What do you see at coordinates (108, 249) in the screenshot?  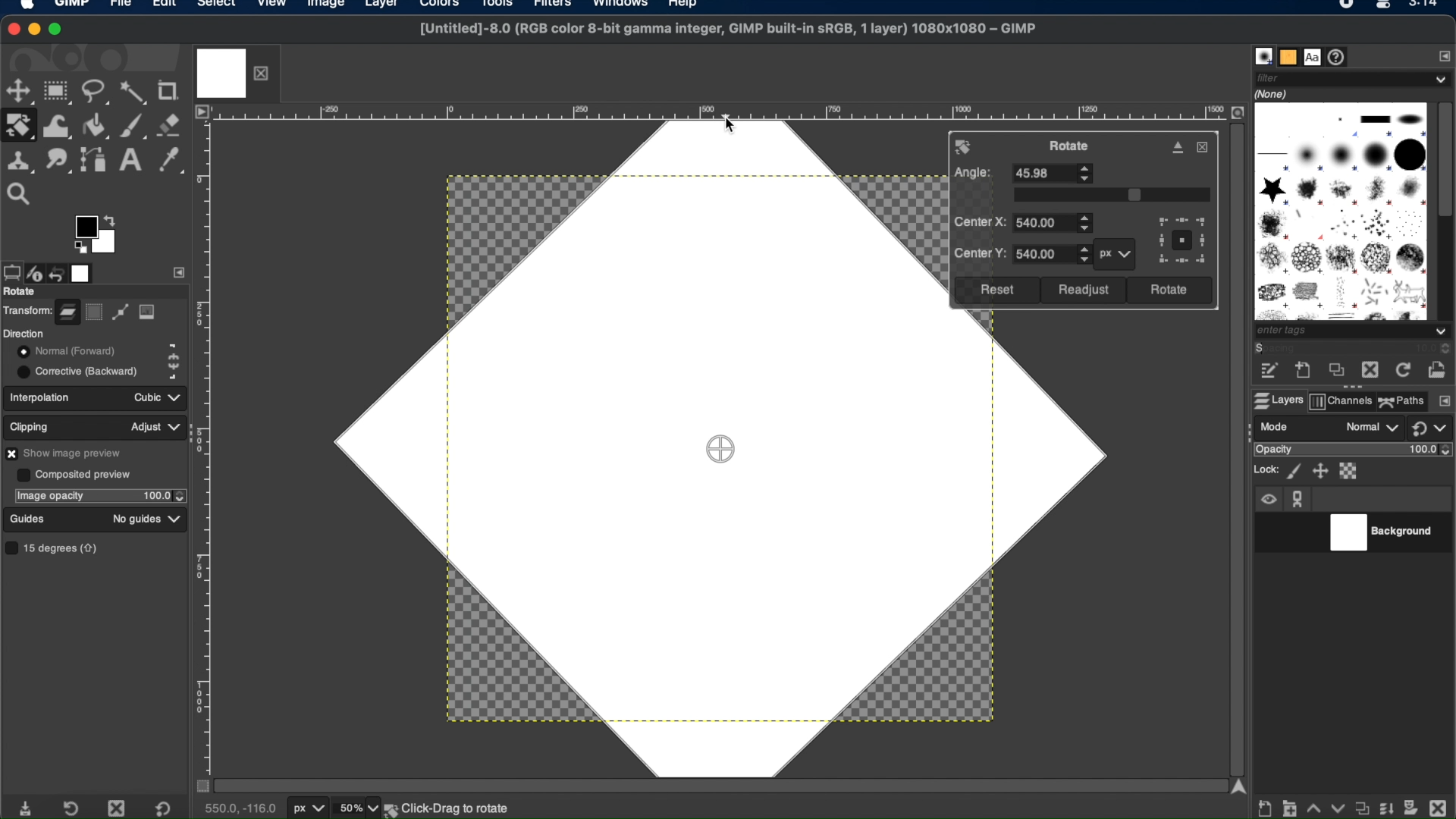 I see `active background color` at bounding box center [108, 249].